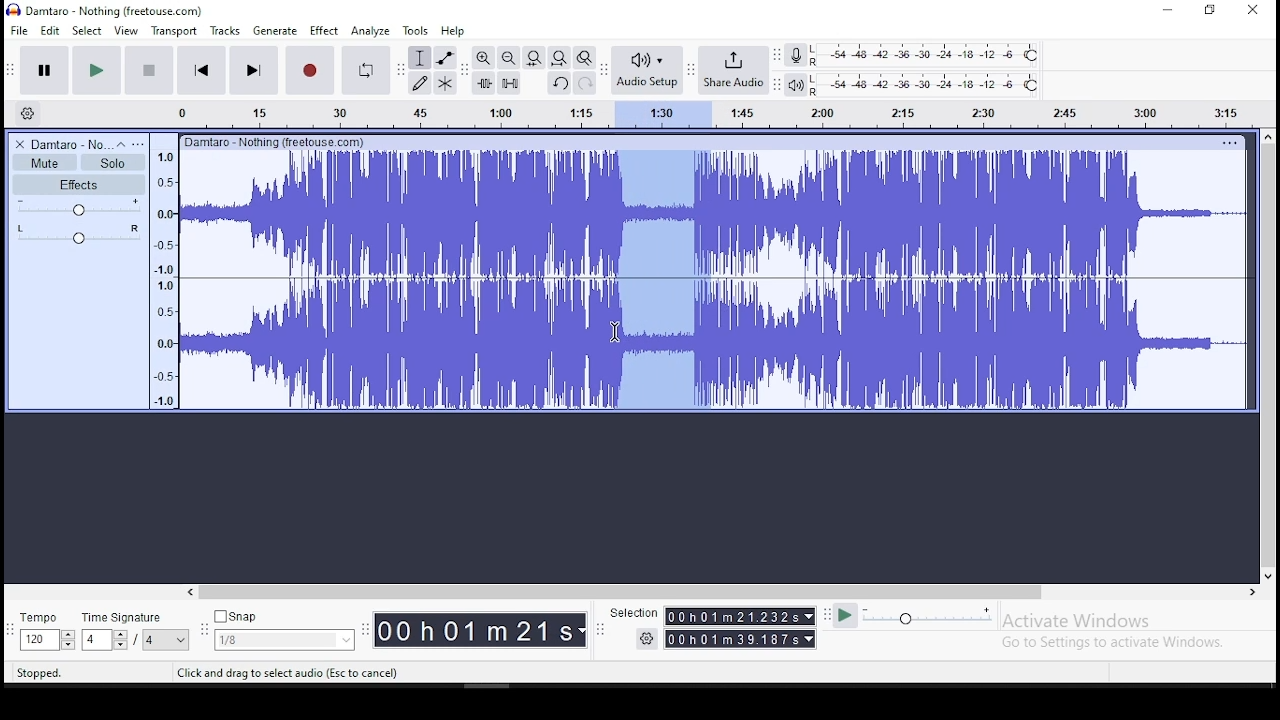 This screenshot has width=1280, height=720. I want to click on Play, so click(845, 616).